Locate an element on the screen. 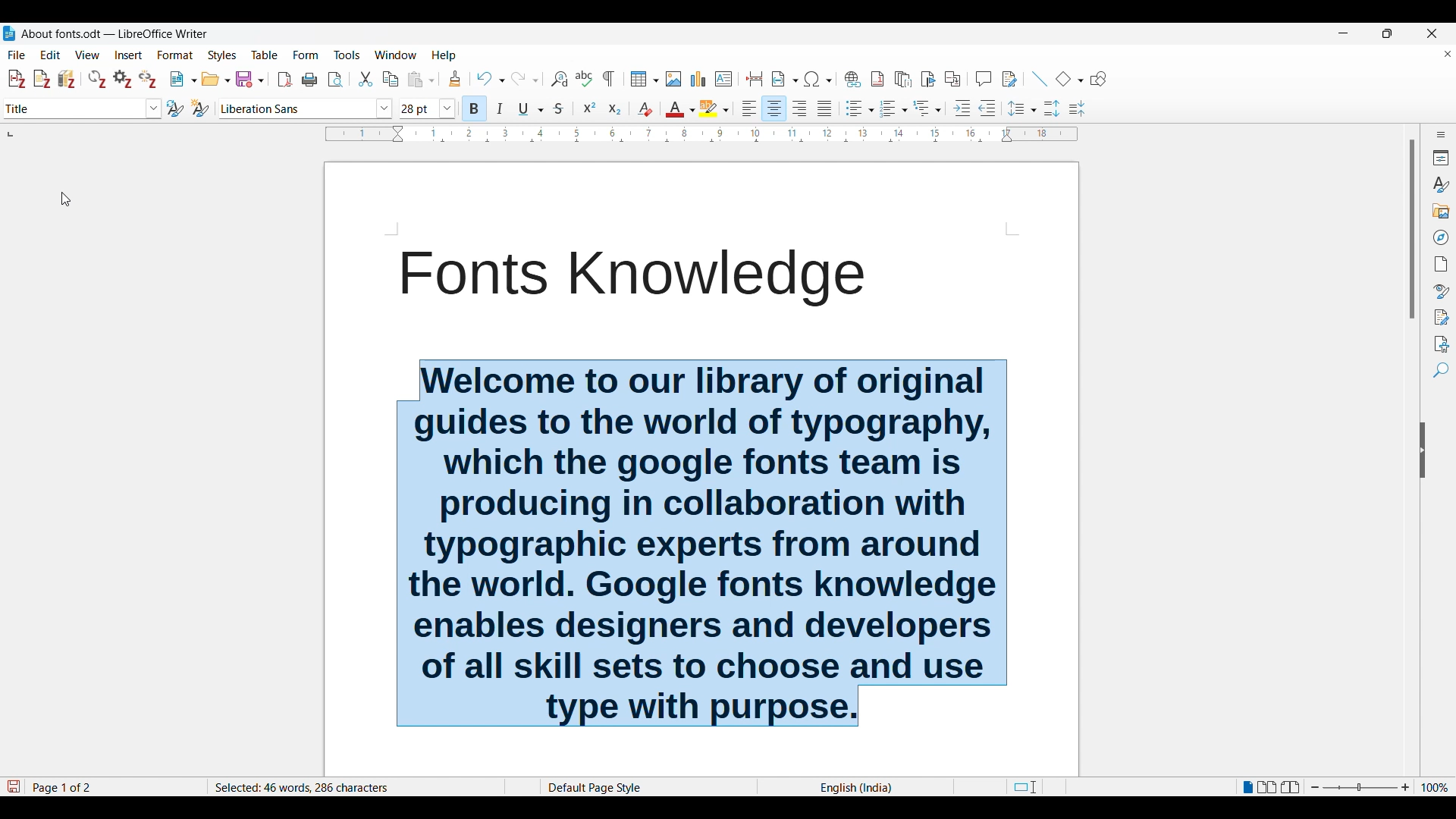 Image resolution: width=1456 pixels, height=819 pixels. Increase indent is located at coordinates (962, 108).